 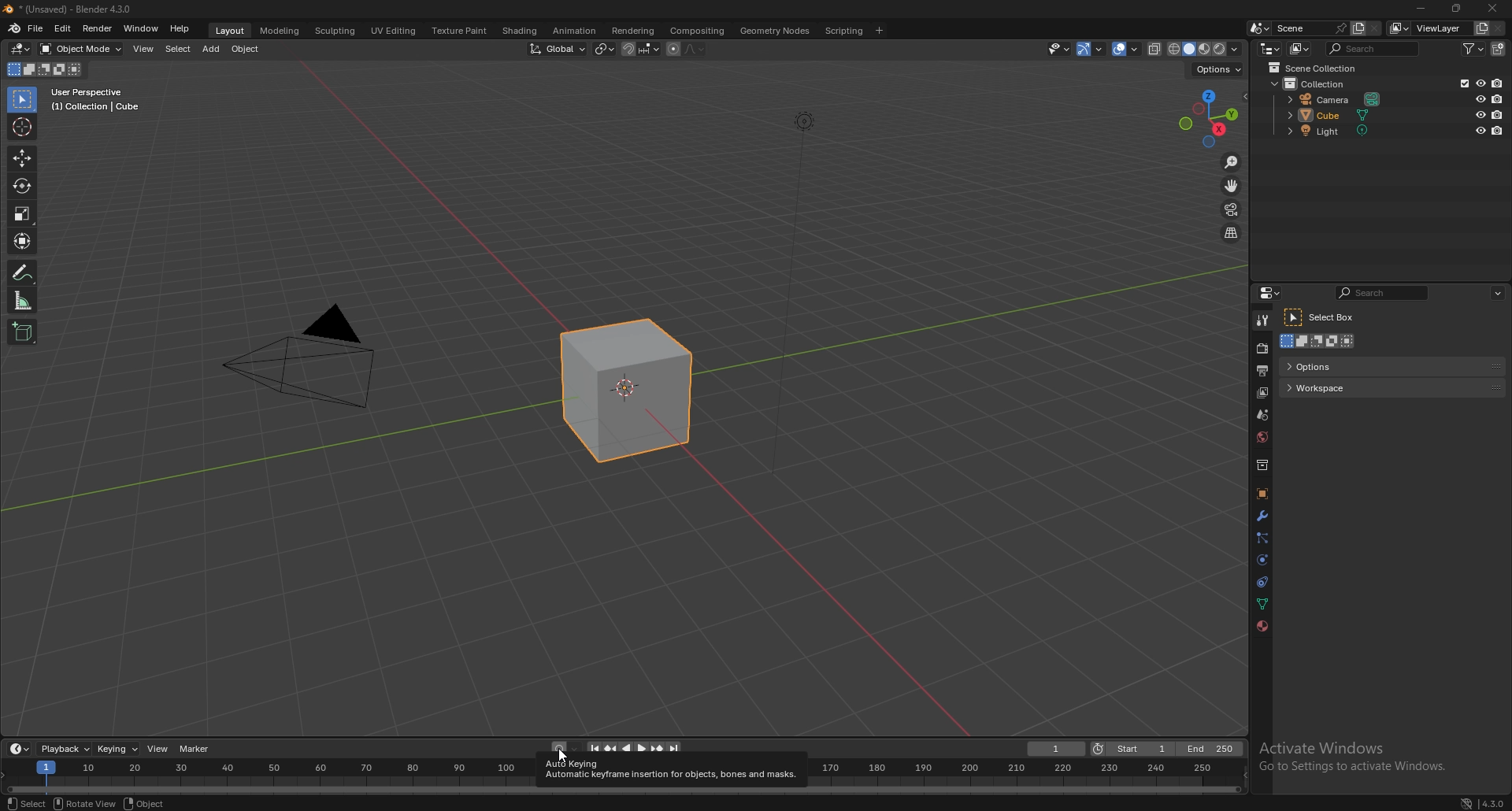 I want to click on display mode, so click(x=1300, y=49).